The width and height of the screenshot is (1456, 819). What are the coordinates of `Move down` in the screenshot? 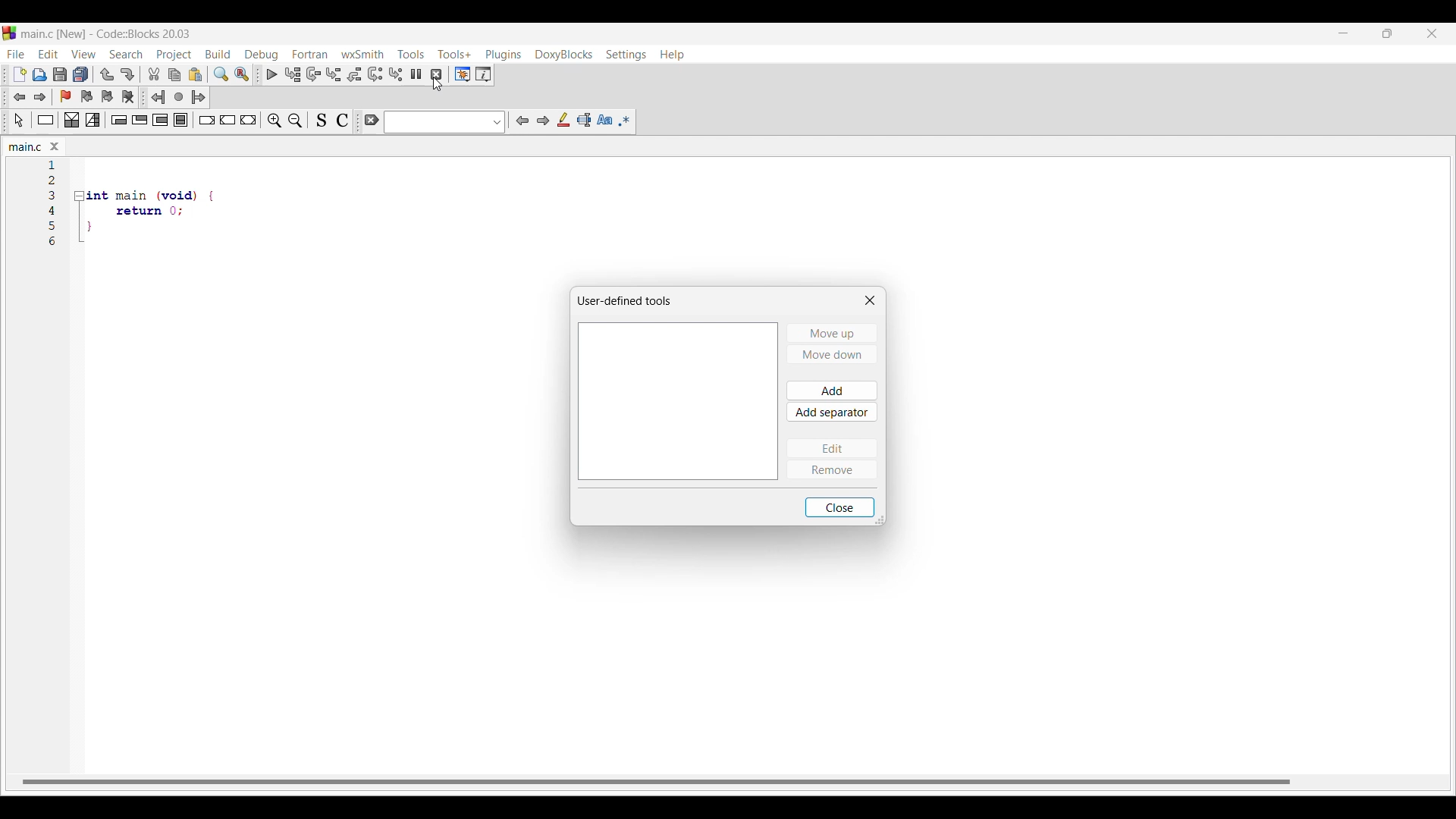 It's located at (832, 354).